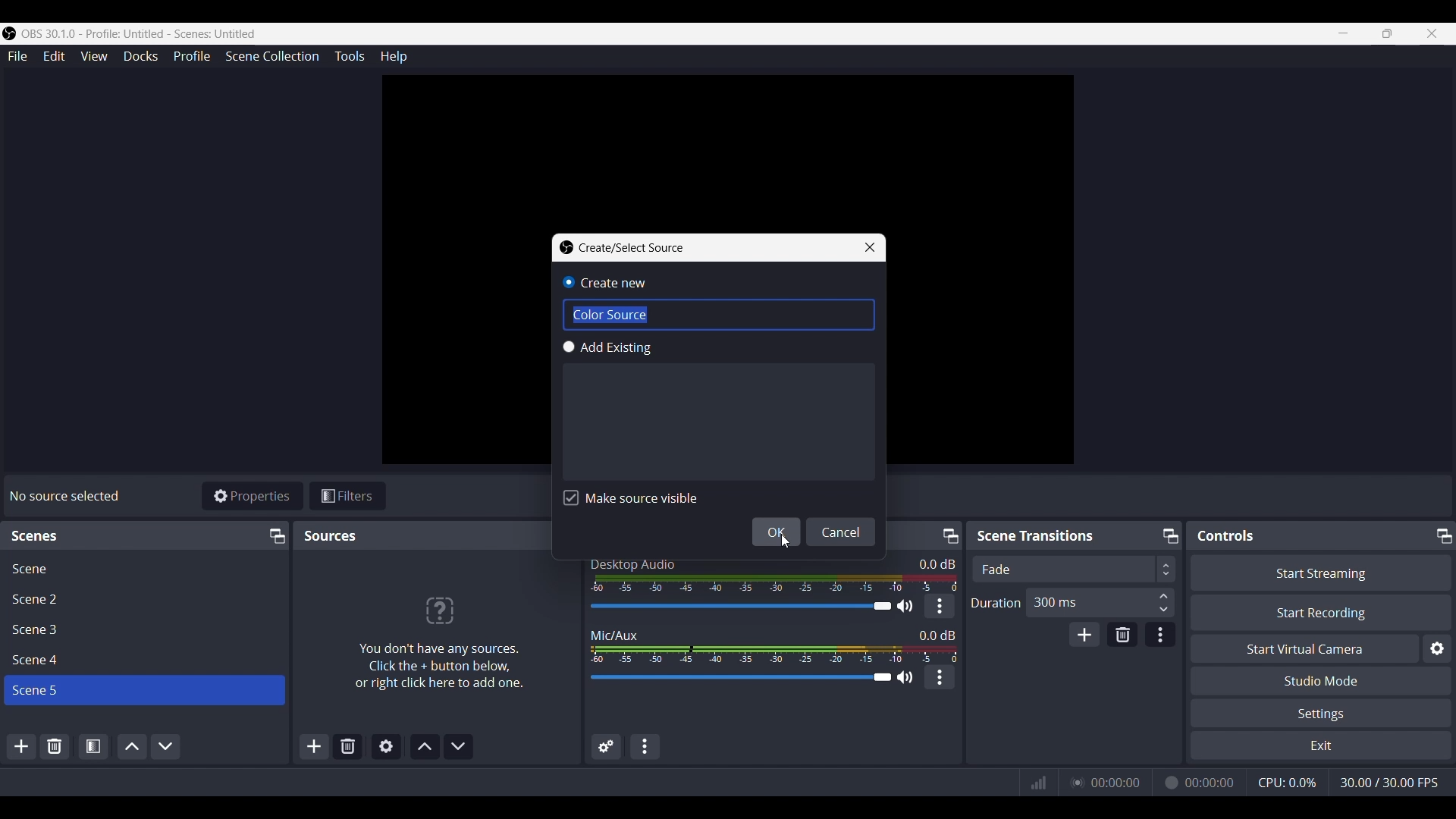 The height and width of the screenshot is (819, 1456). What do you see at coordinates (16, 55) in the screenshot?
I see `File` at bounding box center [16, 55].